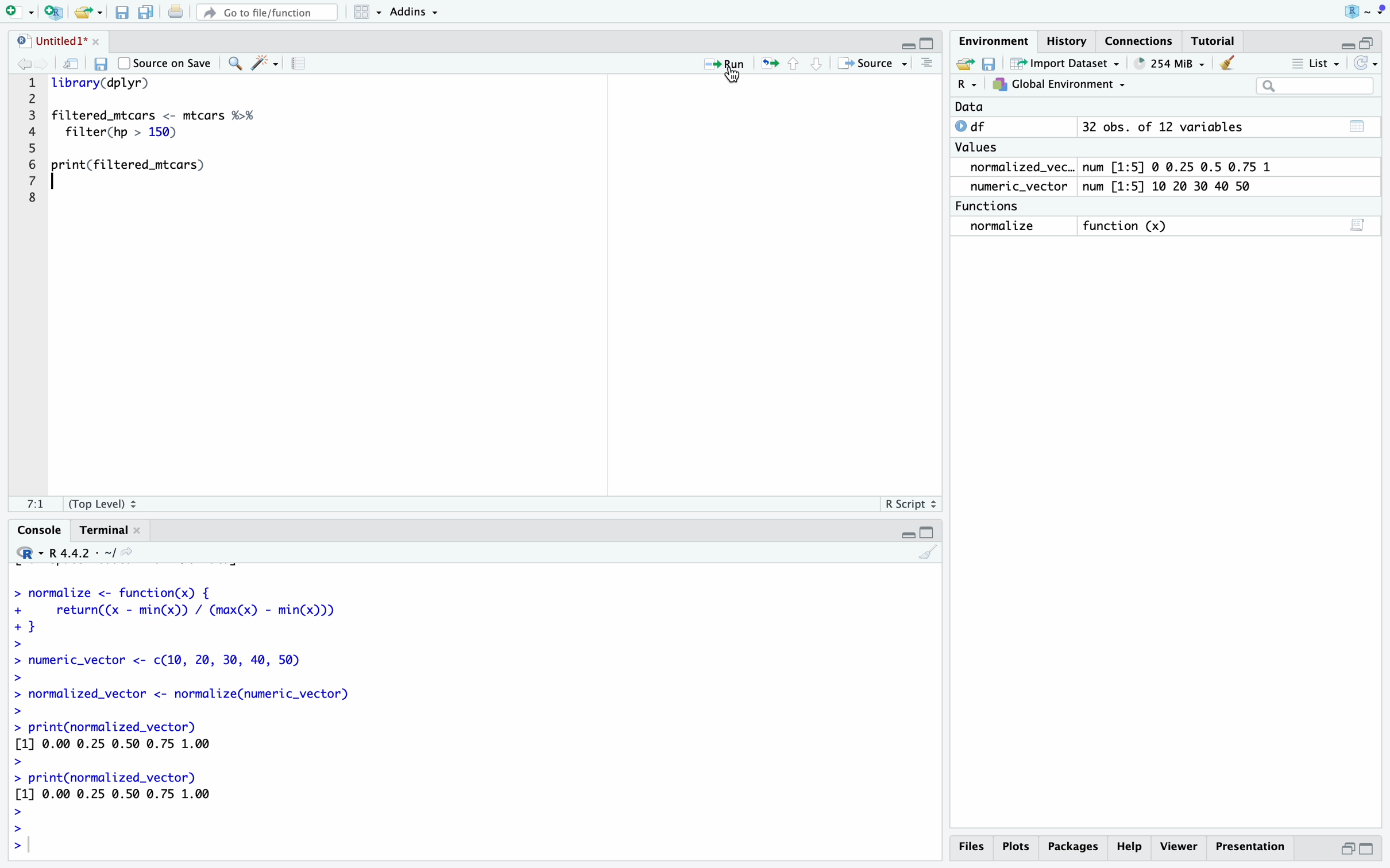  Describe the element at coordinates (265, 64) in the screenshot. I see `tools` at that location.